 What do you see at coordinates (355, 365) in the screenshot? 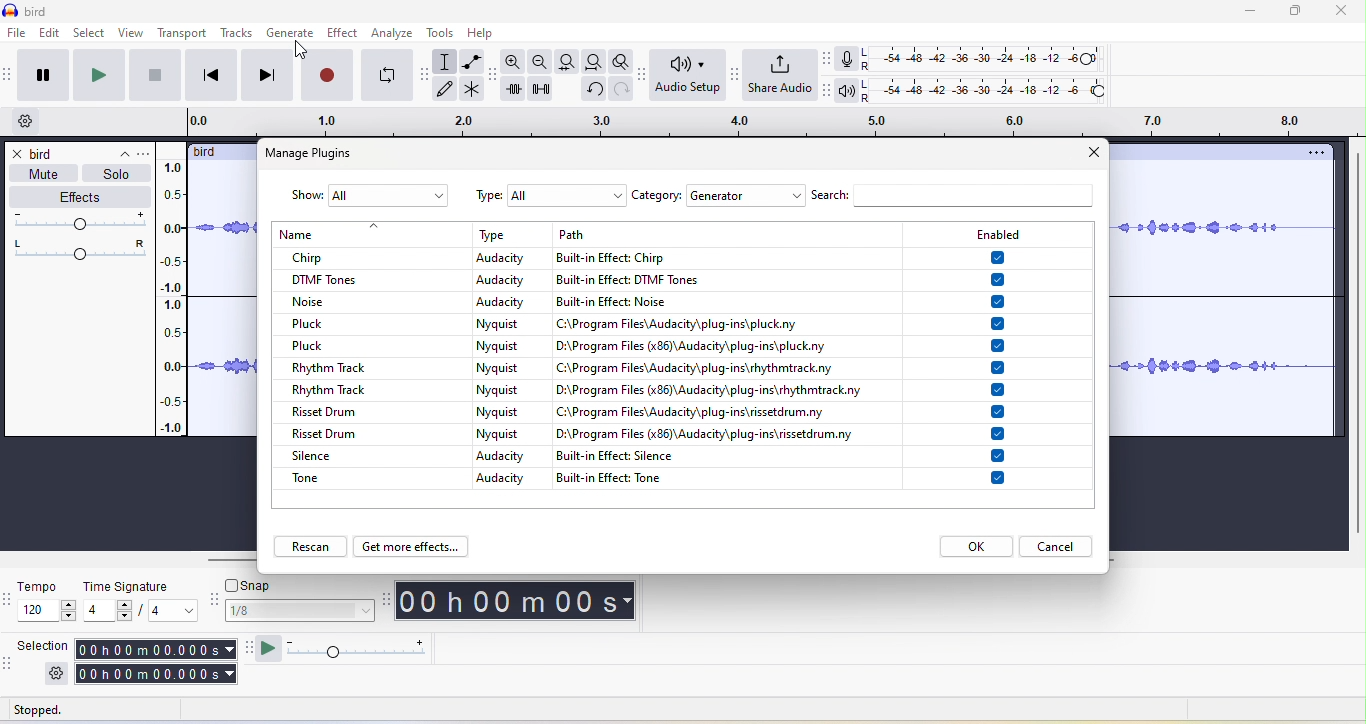
I see `rhythm track` at bounding box center [355, 365].